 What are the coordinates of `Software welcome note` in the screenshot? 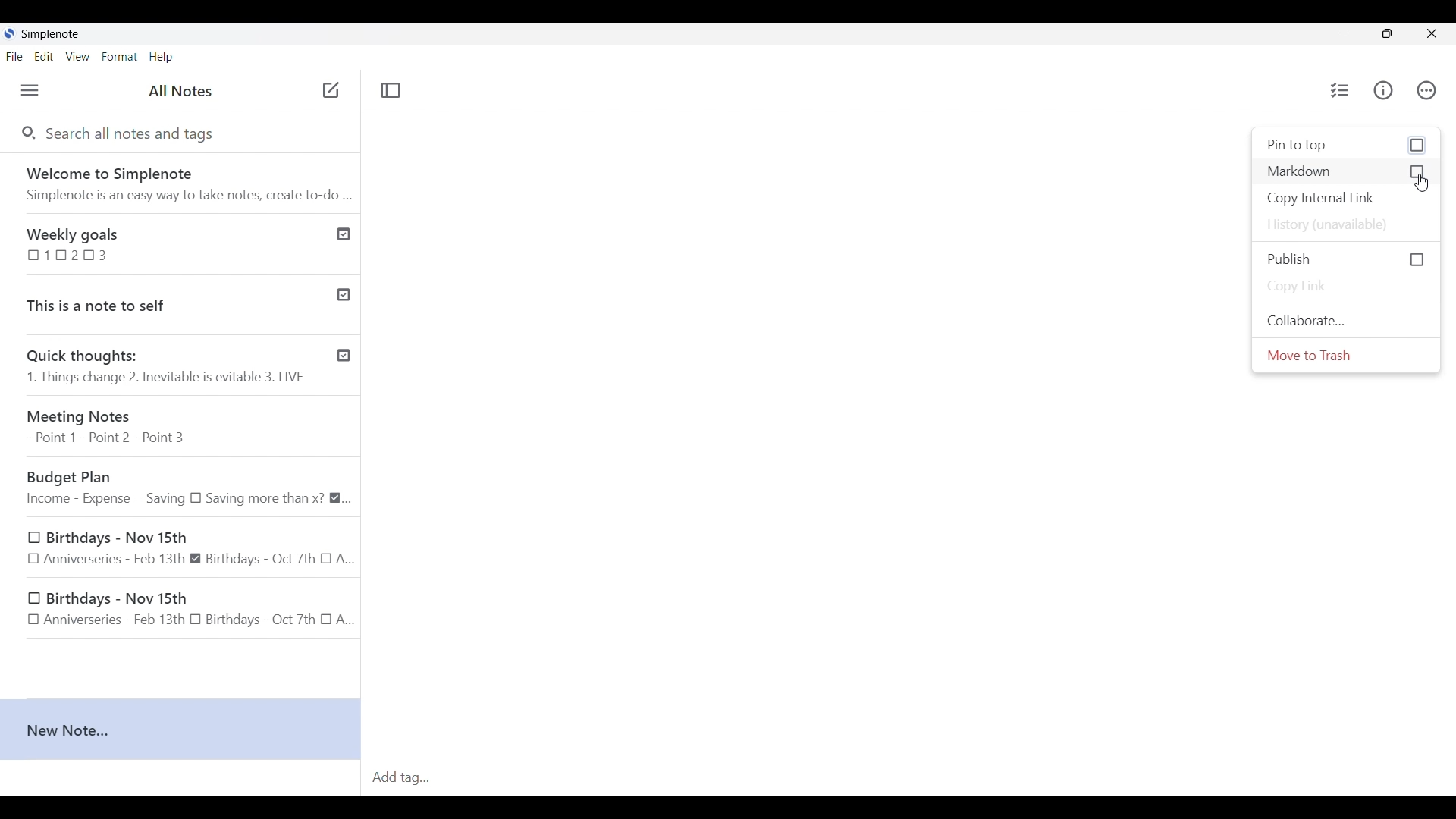 It's located at (179, 180).